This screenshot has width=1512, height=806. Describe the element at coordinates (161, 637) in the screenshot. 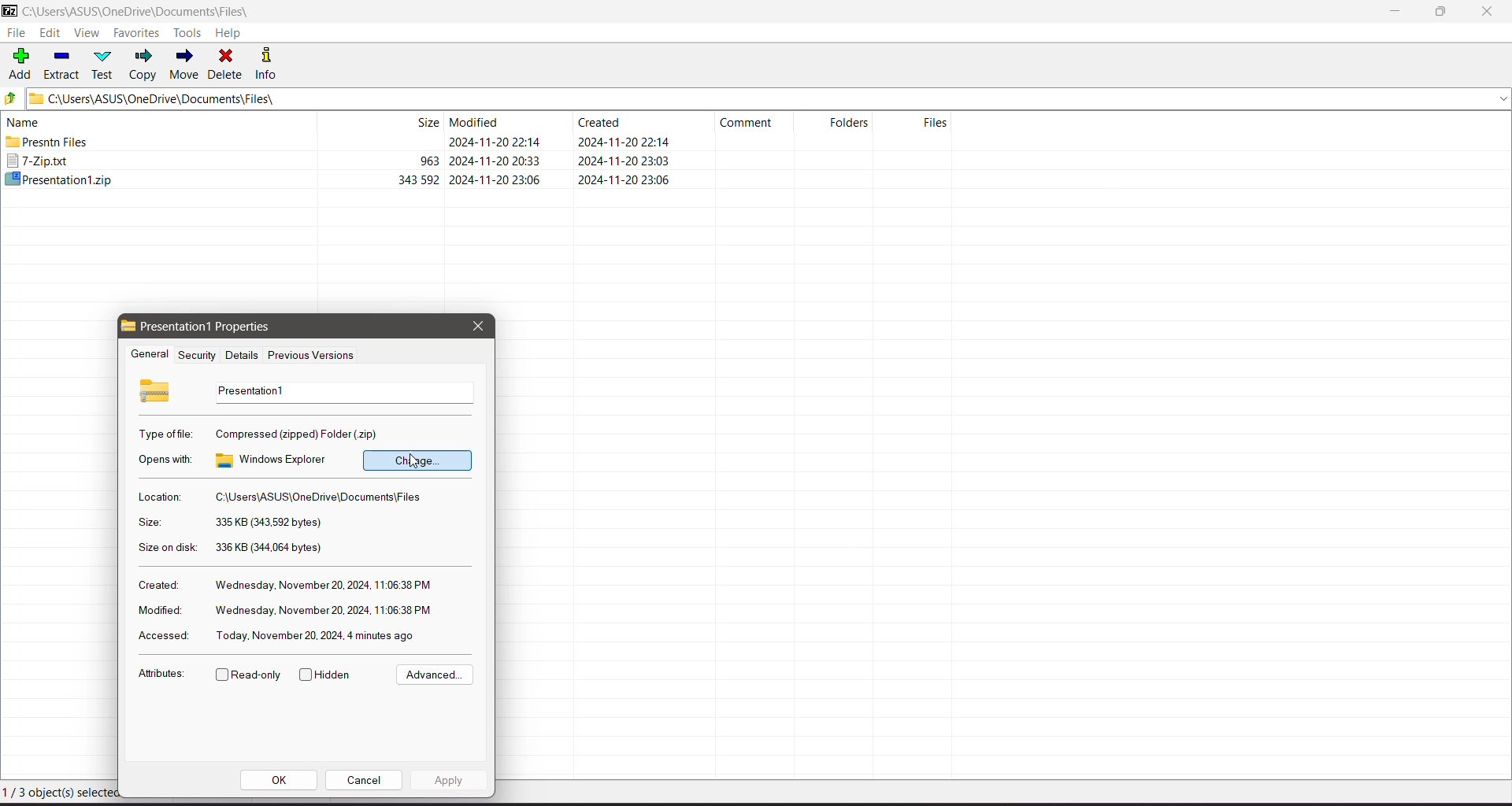

I see `Accessed` at that location.